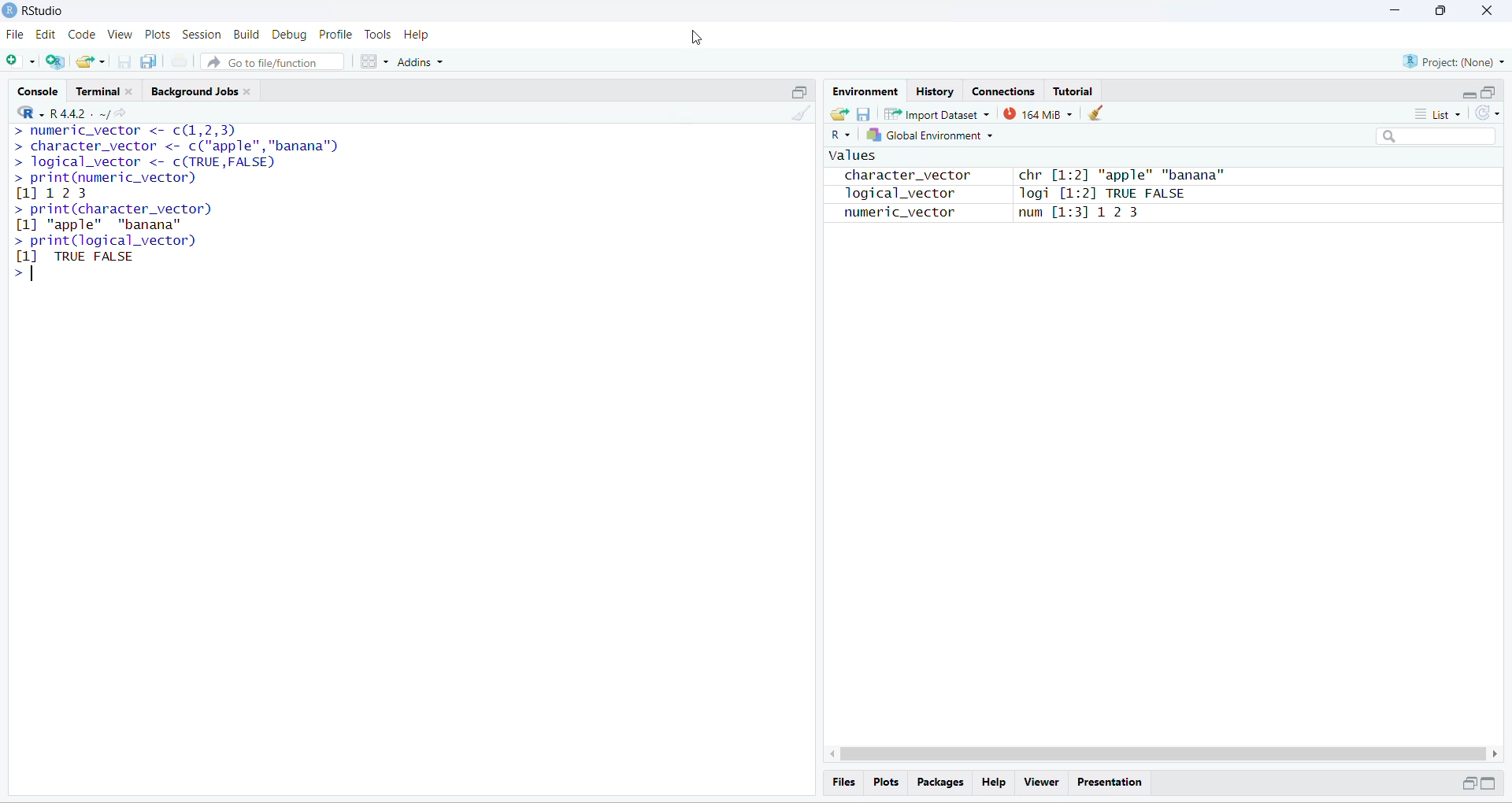 Image resolution: width=1512 pixels, height=803 pixels. Describe the element at coordinates (91, 61) in the screenshot. I see `open existing project` at that location.